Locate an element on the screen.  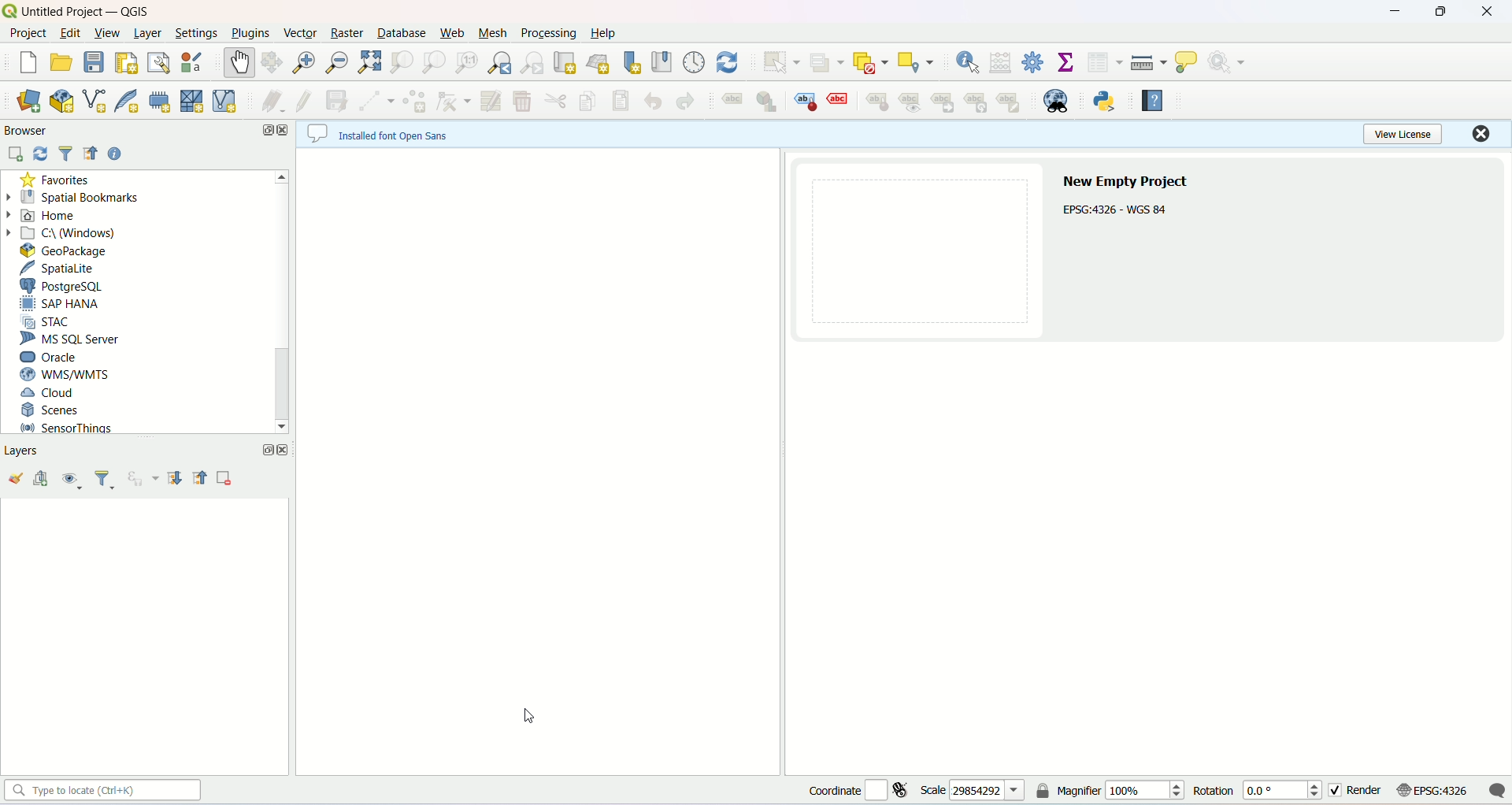
3D map view is located at coordinates (602, 64).